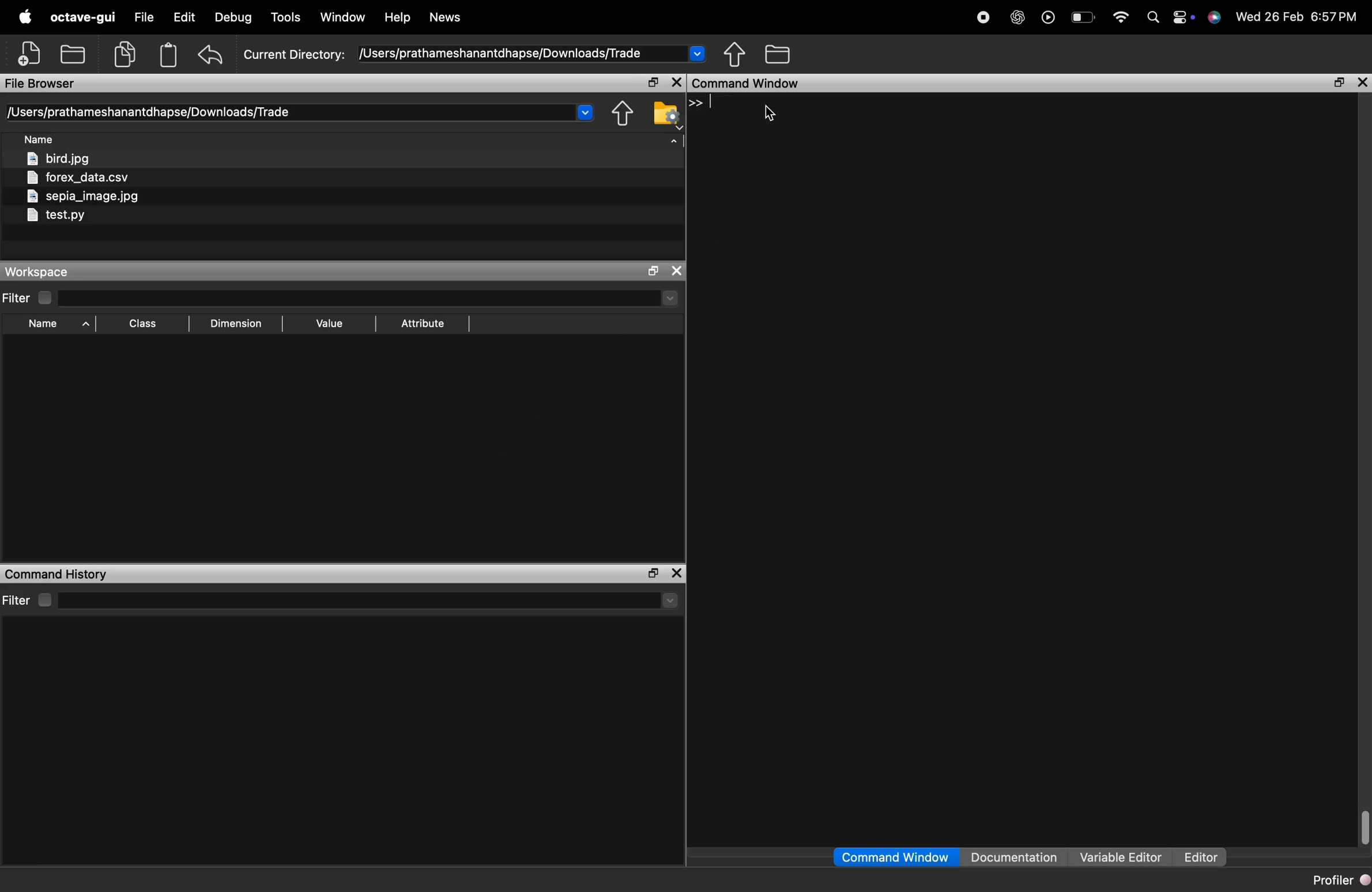 This screenshot has height=892, width=1372. Describe the element at coordinates (625, 116) in the screenshot. I see `one directory up` at that location.